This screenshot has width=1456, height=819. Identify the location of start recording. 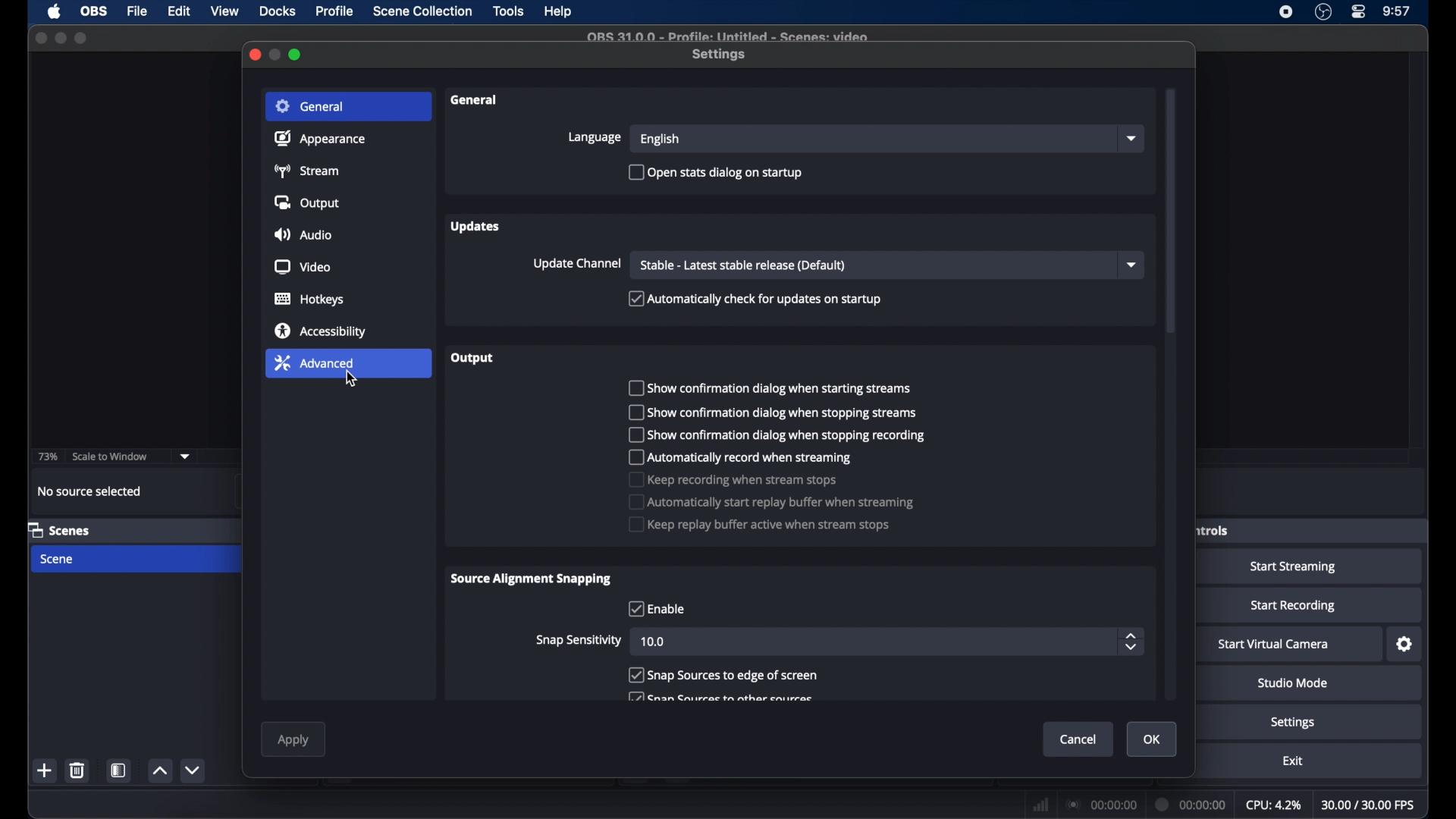
(1294, 606).